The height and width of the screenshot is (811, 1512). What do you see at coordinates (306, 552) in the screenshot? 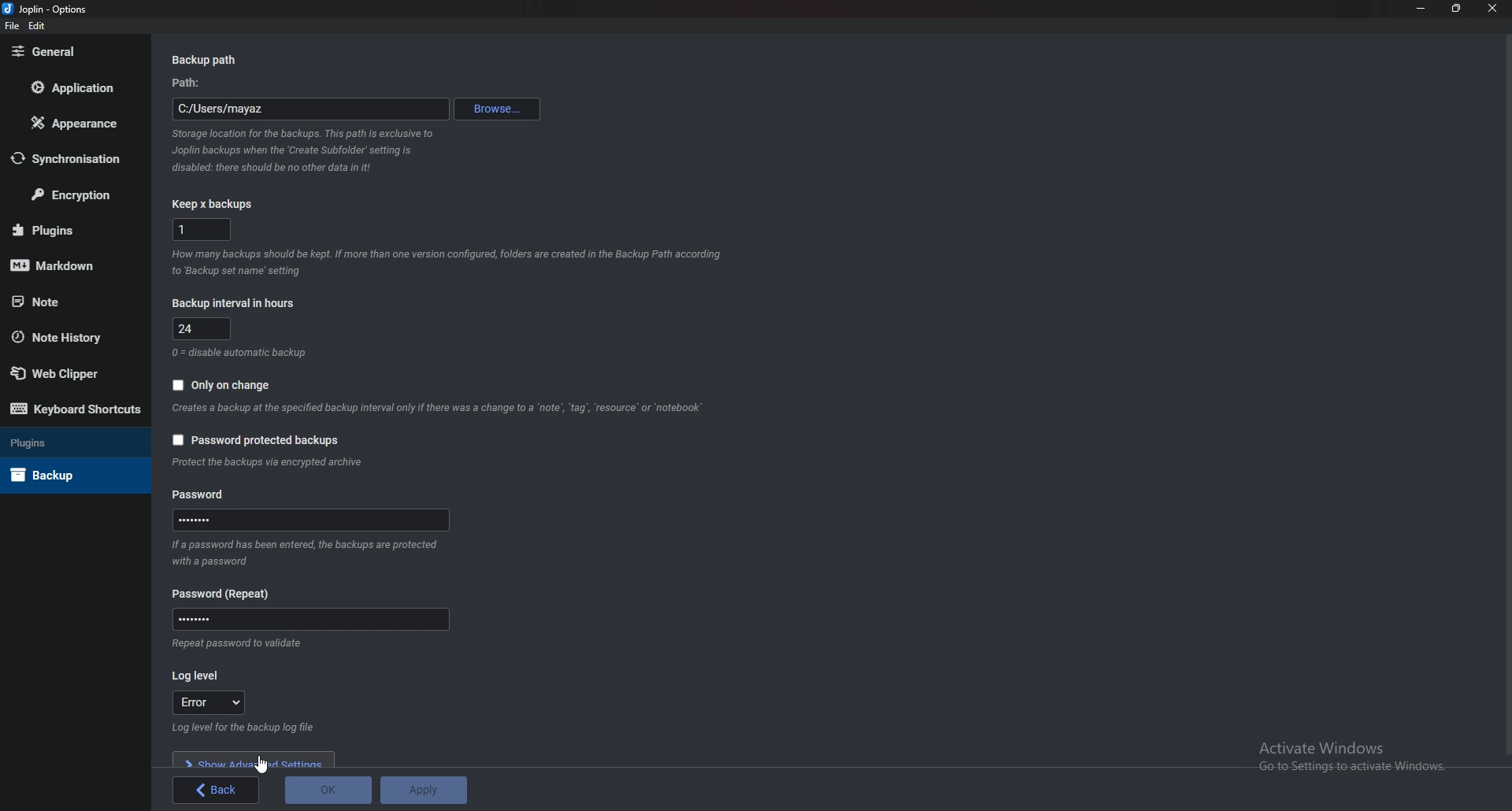
I see `Info` at bounding box center [306, 552].